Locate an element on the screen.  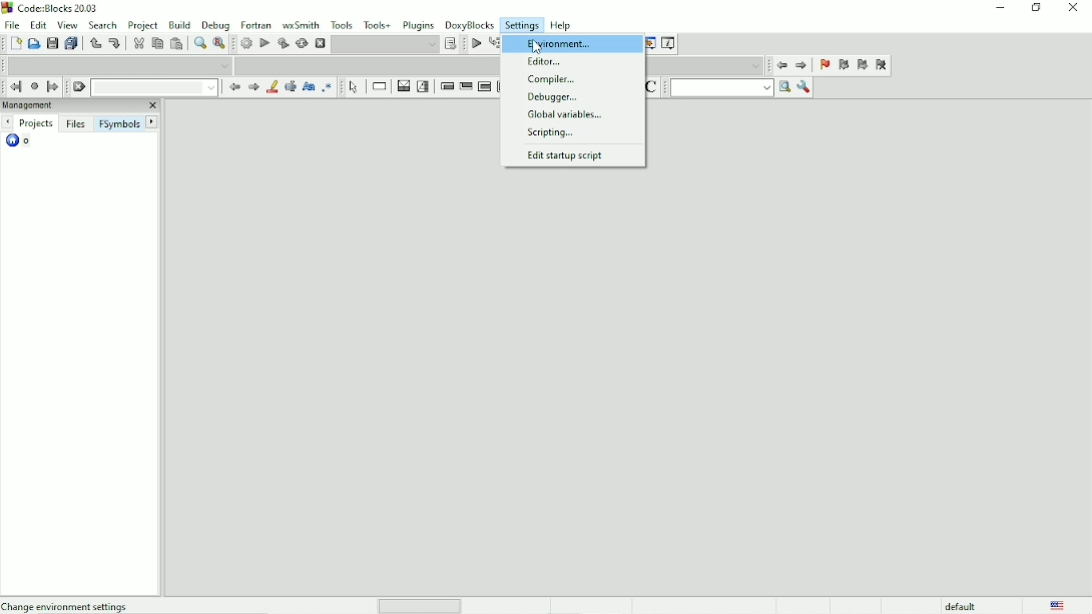
Search is located at coordinates (102, 25).